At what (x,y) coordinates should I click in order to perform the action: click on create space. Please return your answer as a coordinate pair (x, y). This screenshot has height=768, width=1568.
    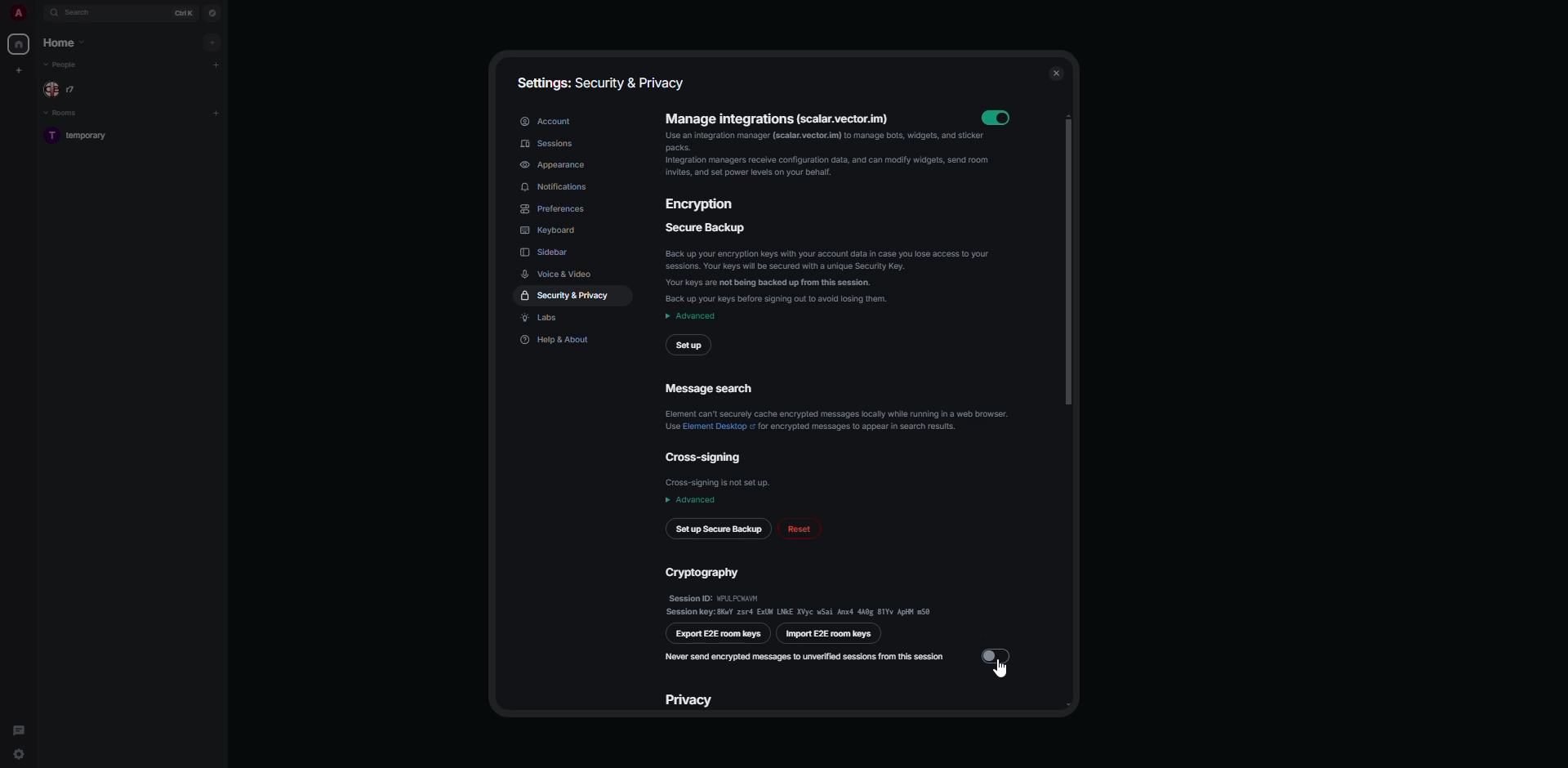
    Looking at the image, I should click on (21, 70).